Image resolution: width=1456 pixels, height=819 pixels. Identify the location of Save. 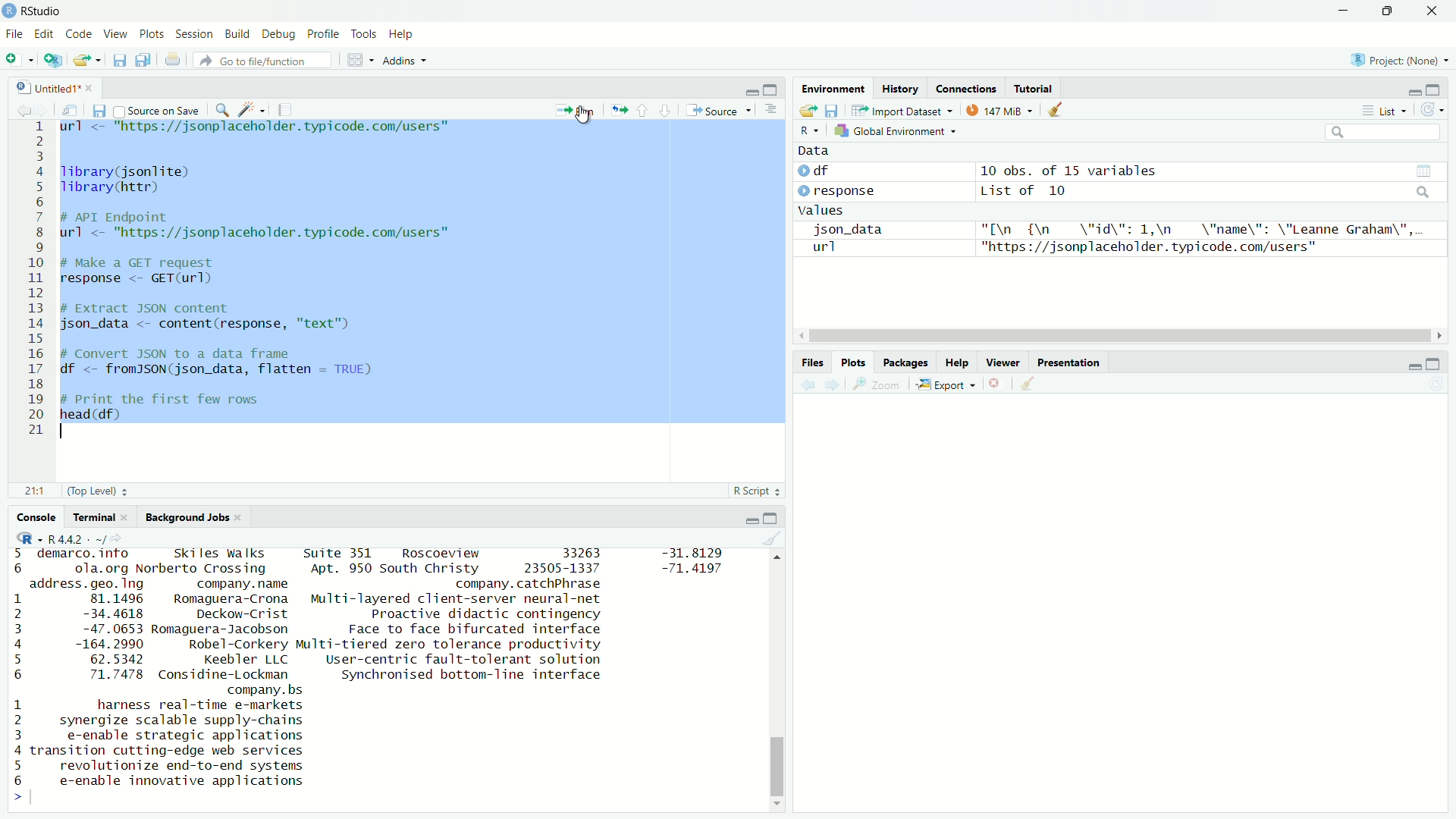
(118, 58).